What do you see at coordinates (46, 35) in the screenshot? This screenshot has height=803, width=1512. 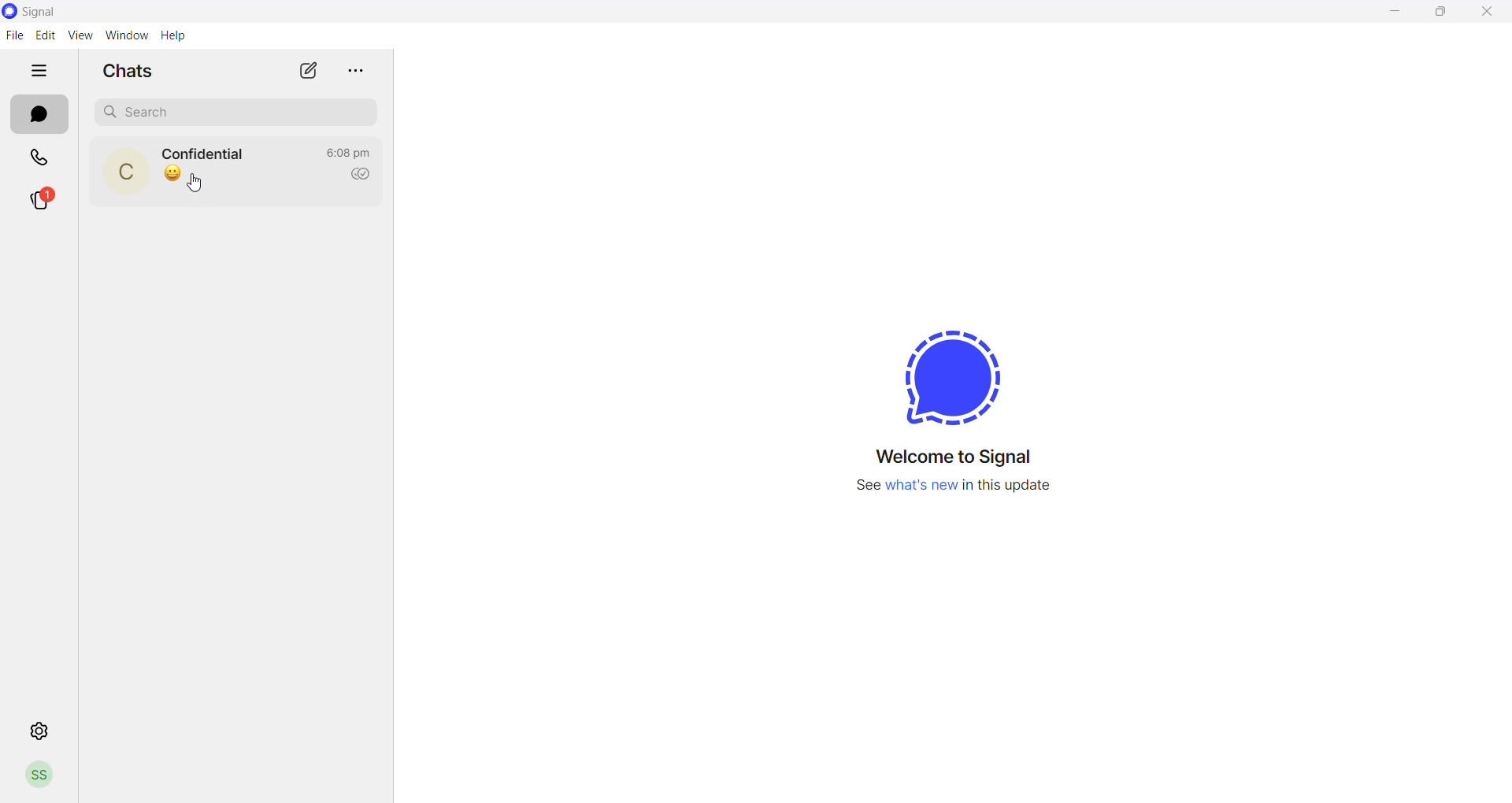 I see `edit` at bounding box center [46, 35].